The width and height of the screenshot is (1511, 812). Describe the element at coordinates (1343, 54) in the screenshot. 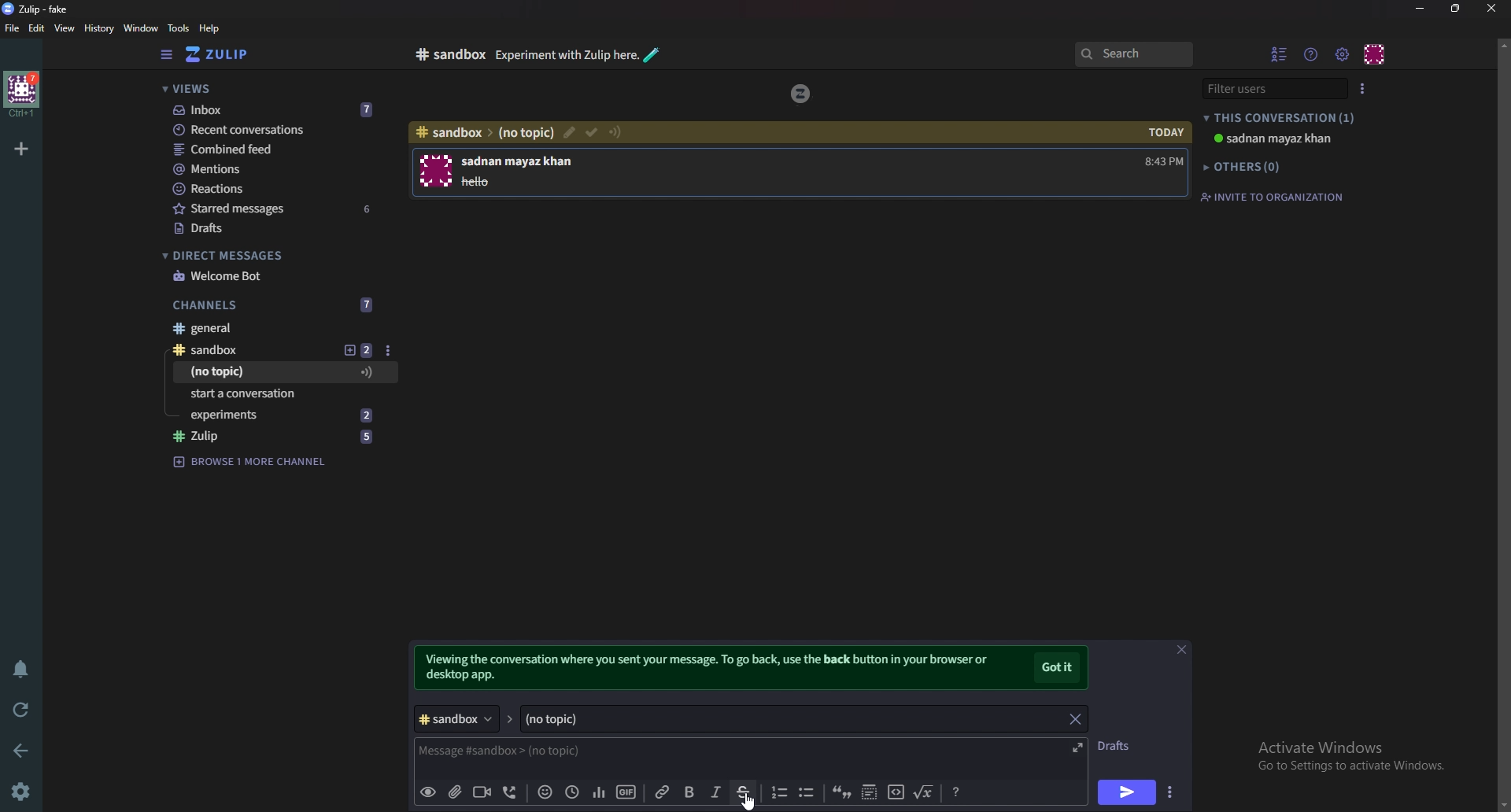

I see `Main menu` at that location.